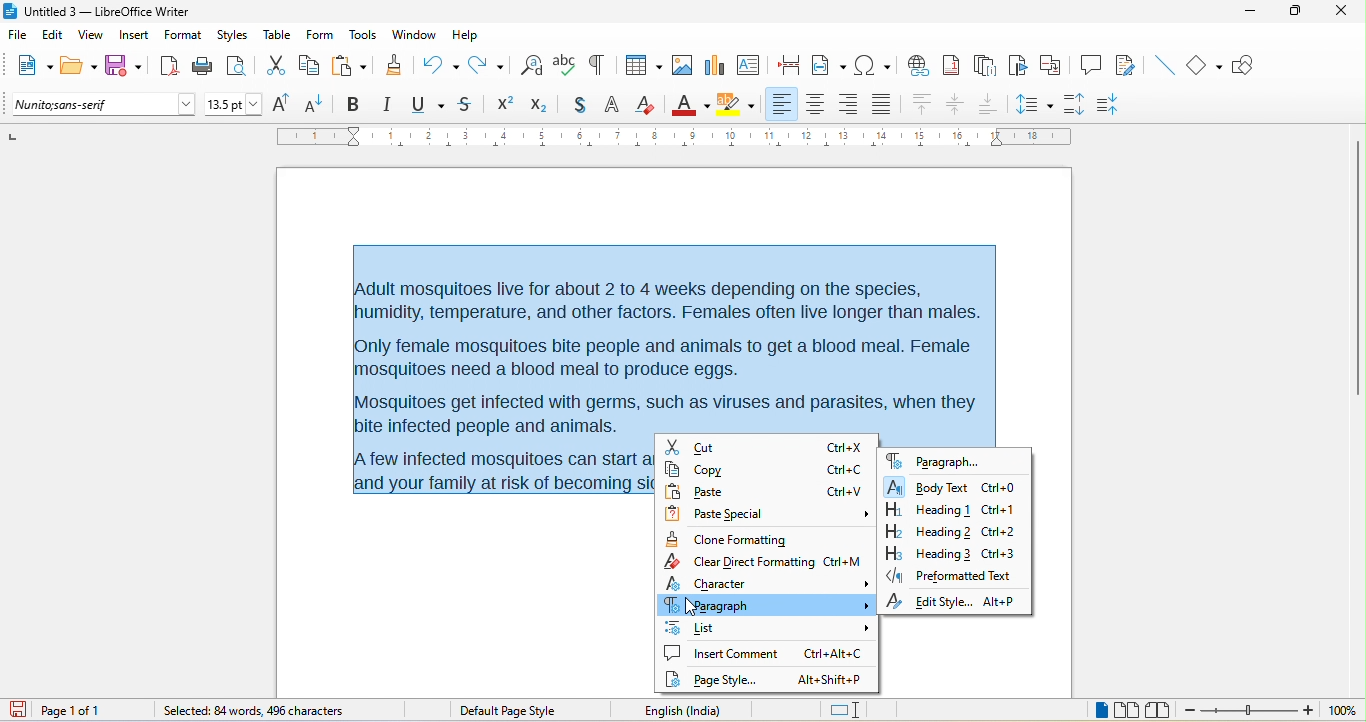  I want to click on default page style, so click(511, 711).